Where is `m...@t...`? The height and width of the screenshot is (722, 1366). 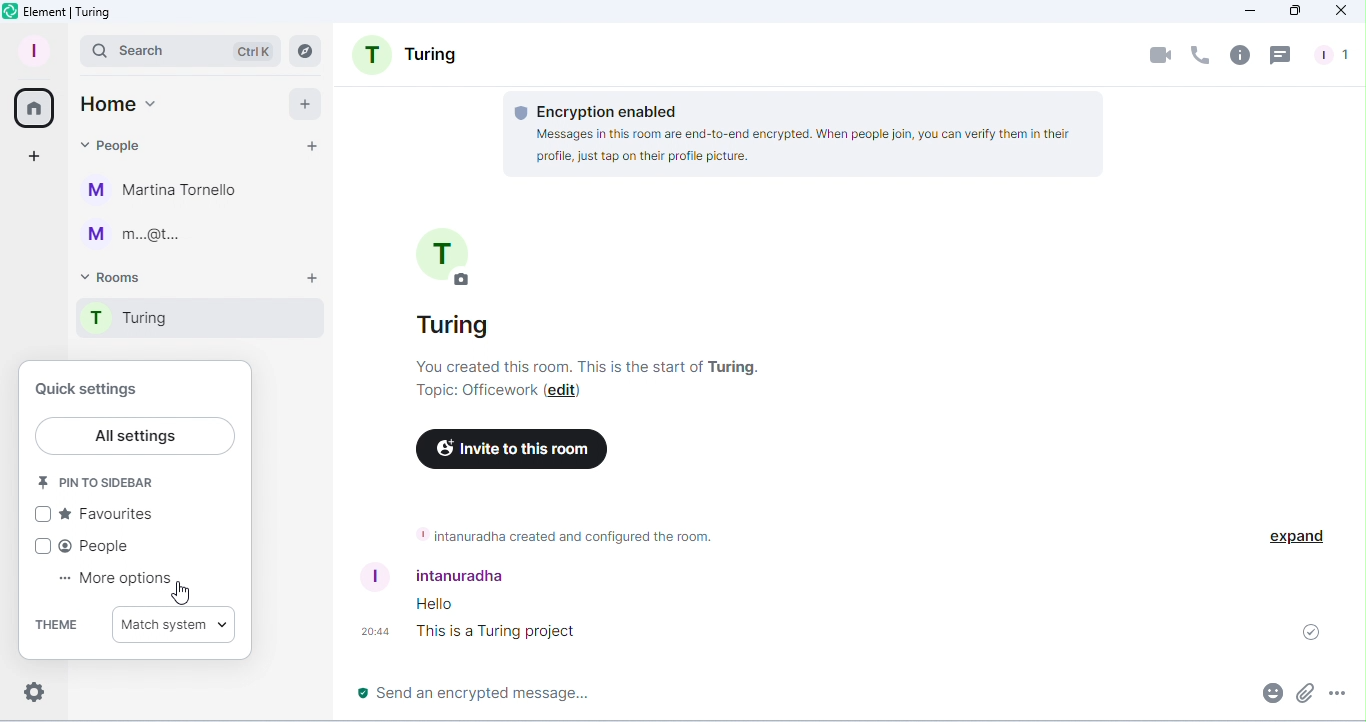 m...@t... is located at coordinates (140, 235).